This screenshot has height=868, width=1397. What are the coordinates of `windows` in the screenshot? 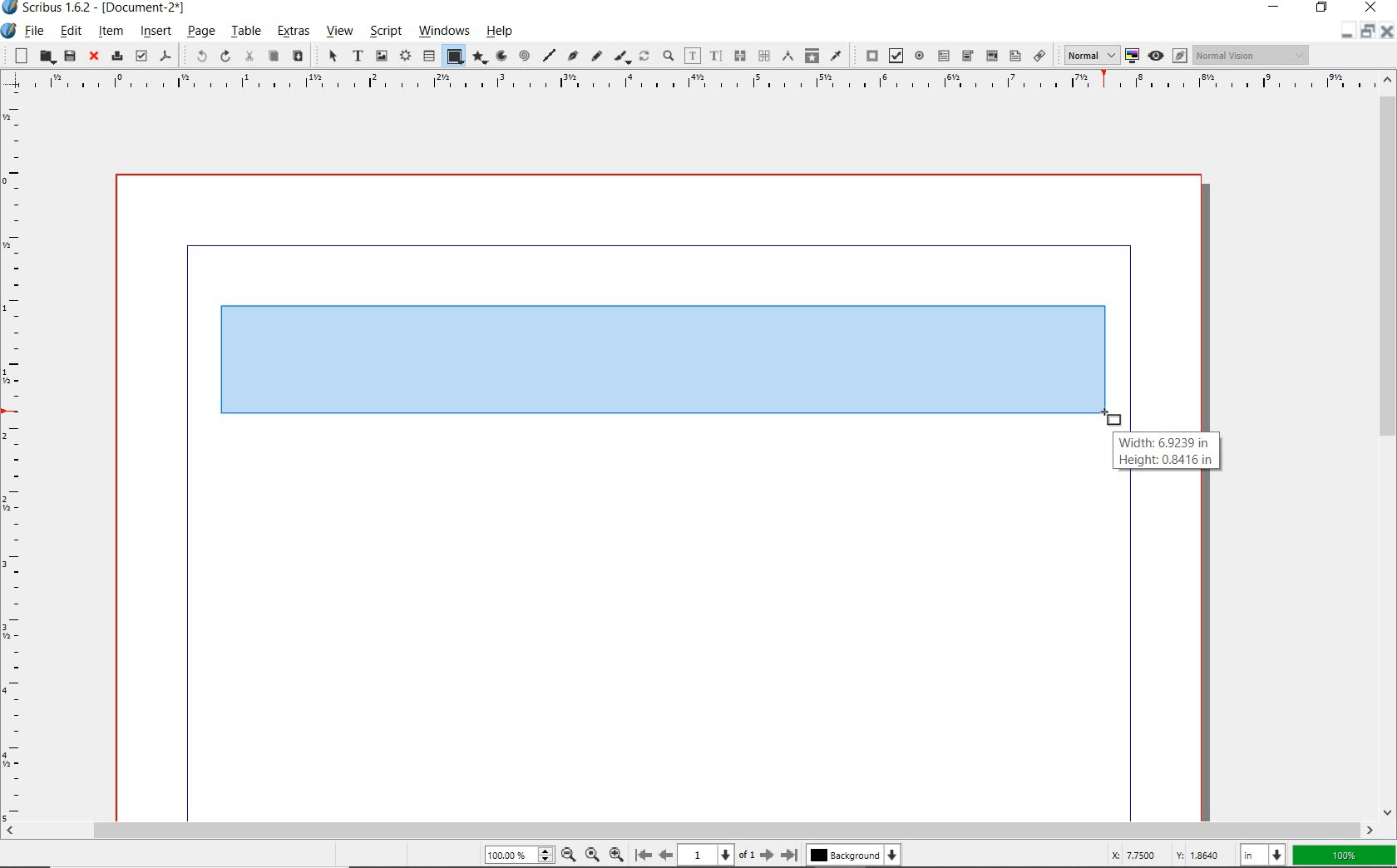 It's located at (445, 32).